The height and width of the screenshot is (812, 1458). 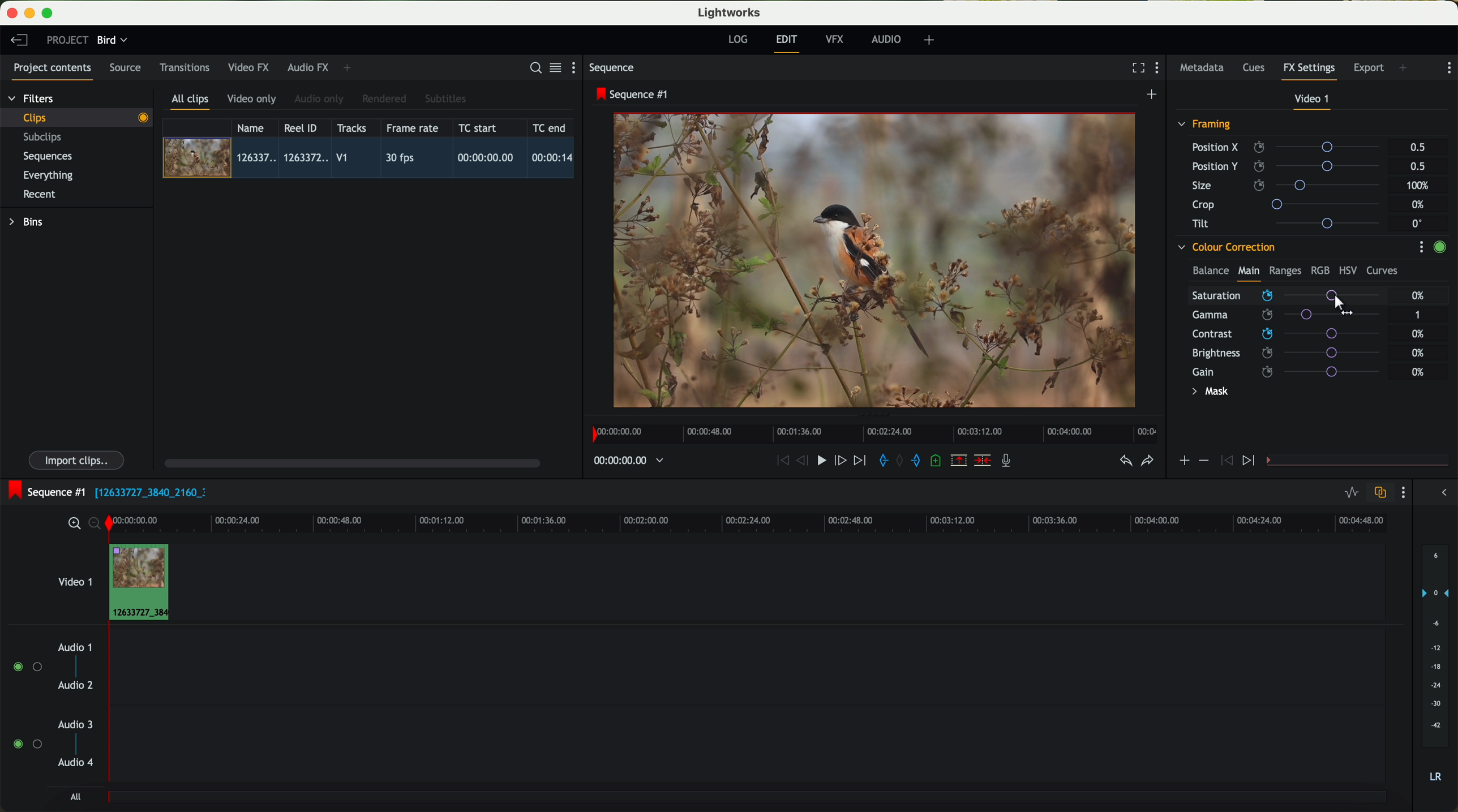 I want to click on colour correction, so click(x=1225, y=247).